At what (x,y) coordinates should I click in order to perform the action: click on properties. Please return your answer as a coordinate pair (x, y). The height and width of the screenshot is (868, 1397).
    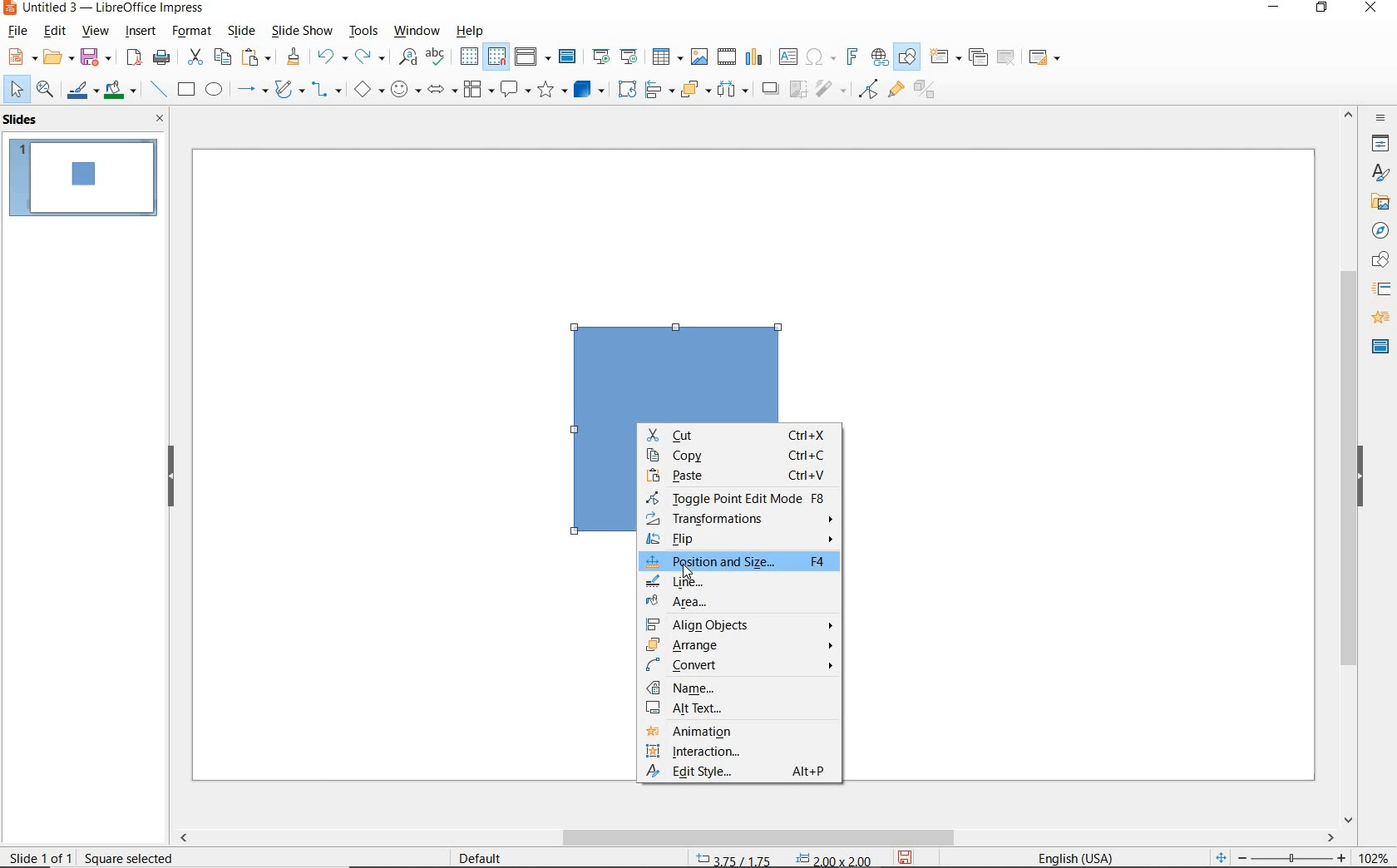
    Looking at the image, I should click on (1379, 145).